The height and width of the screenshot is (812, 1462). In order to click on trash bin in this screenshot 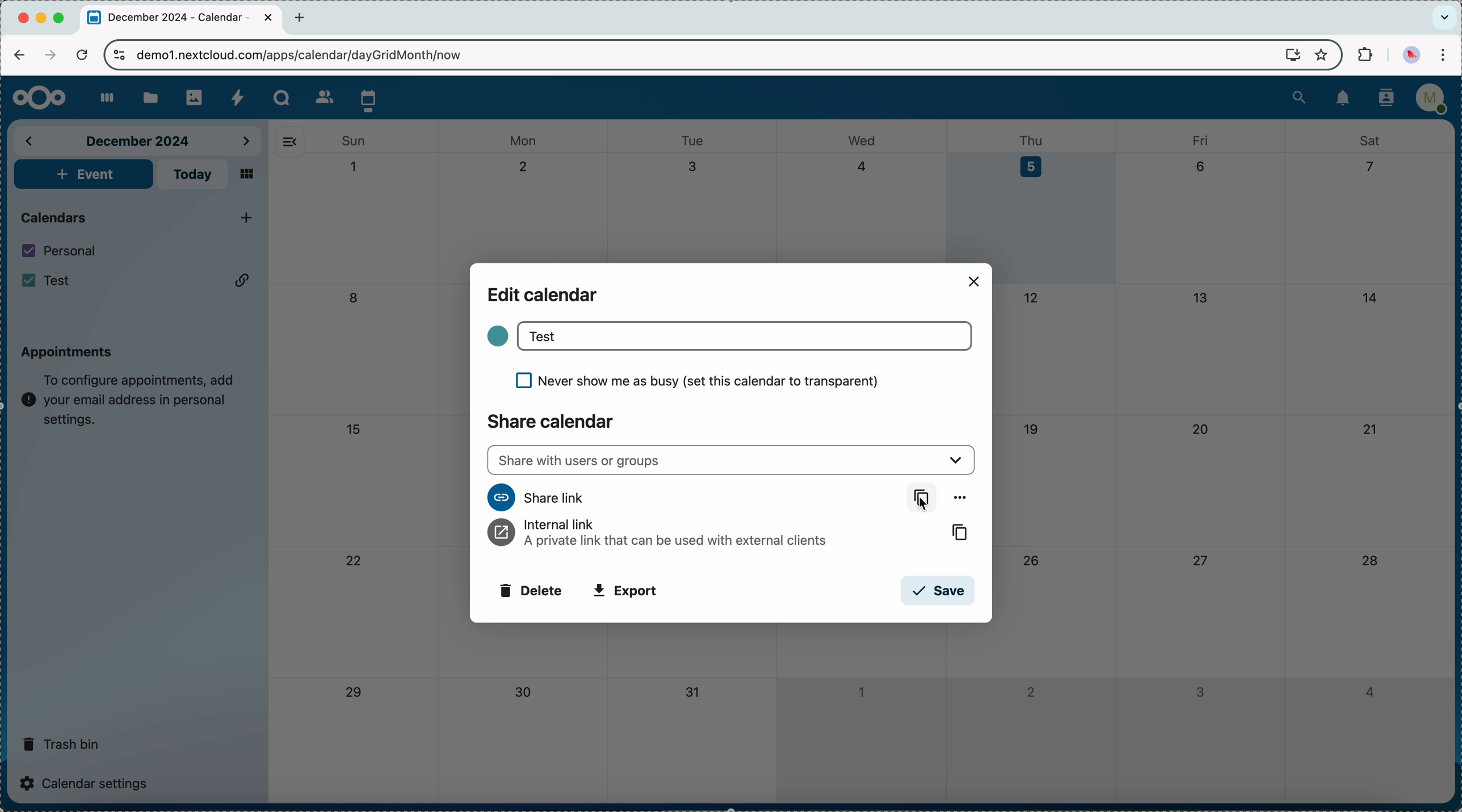, I will do `click(62, 740)`.